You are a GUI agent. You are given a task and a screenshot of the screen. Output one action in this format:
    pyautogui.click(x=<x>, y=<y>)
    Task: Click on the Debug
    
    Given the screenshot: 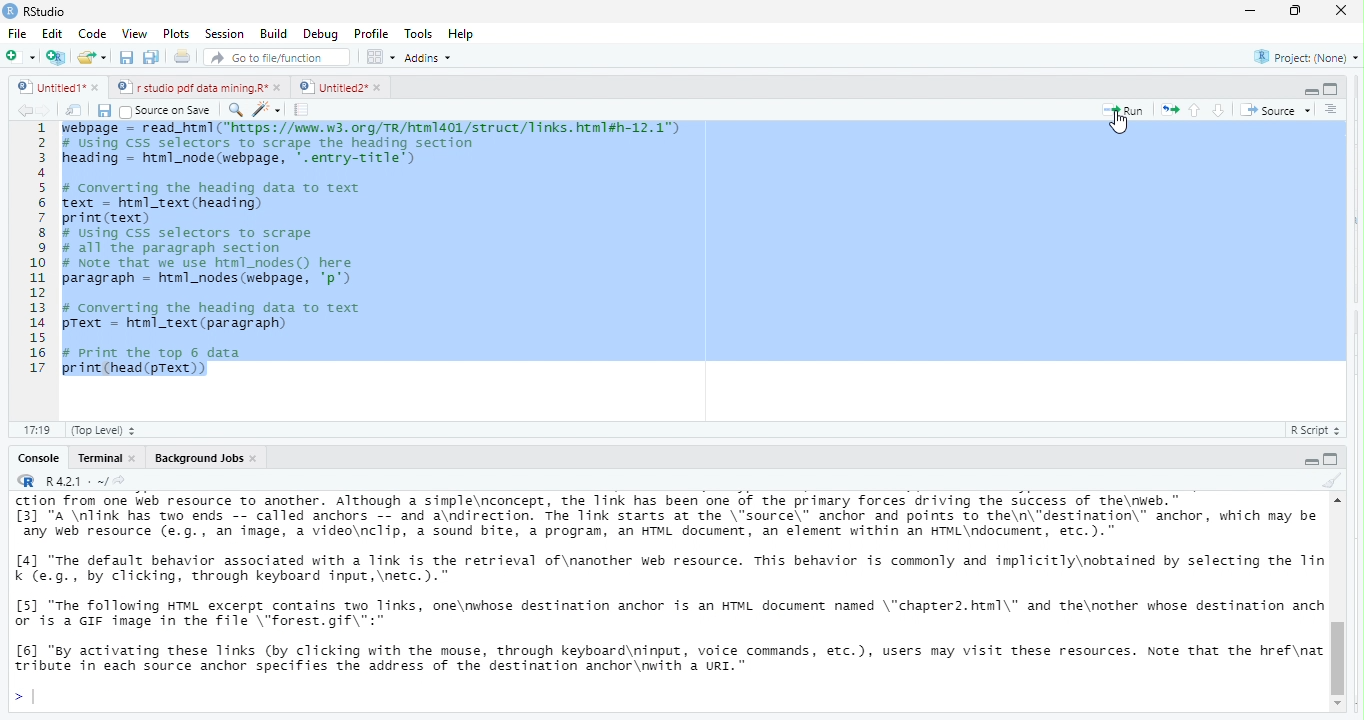 What is the action you would take?
    pyautogui.click(x=321, y=35)
    